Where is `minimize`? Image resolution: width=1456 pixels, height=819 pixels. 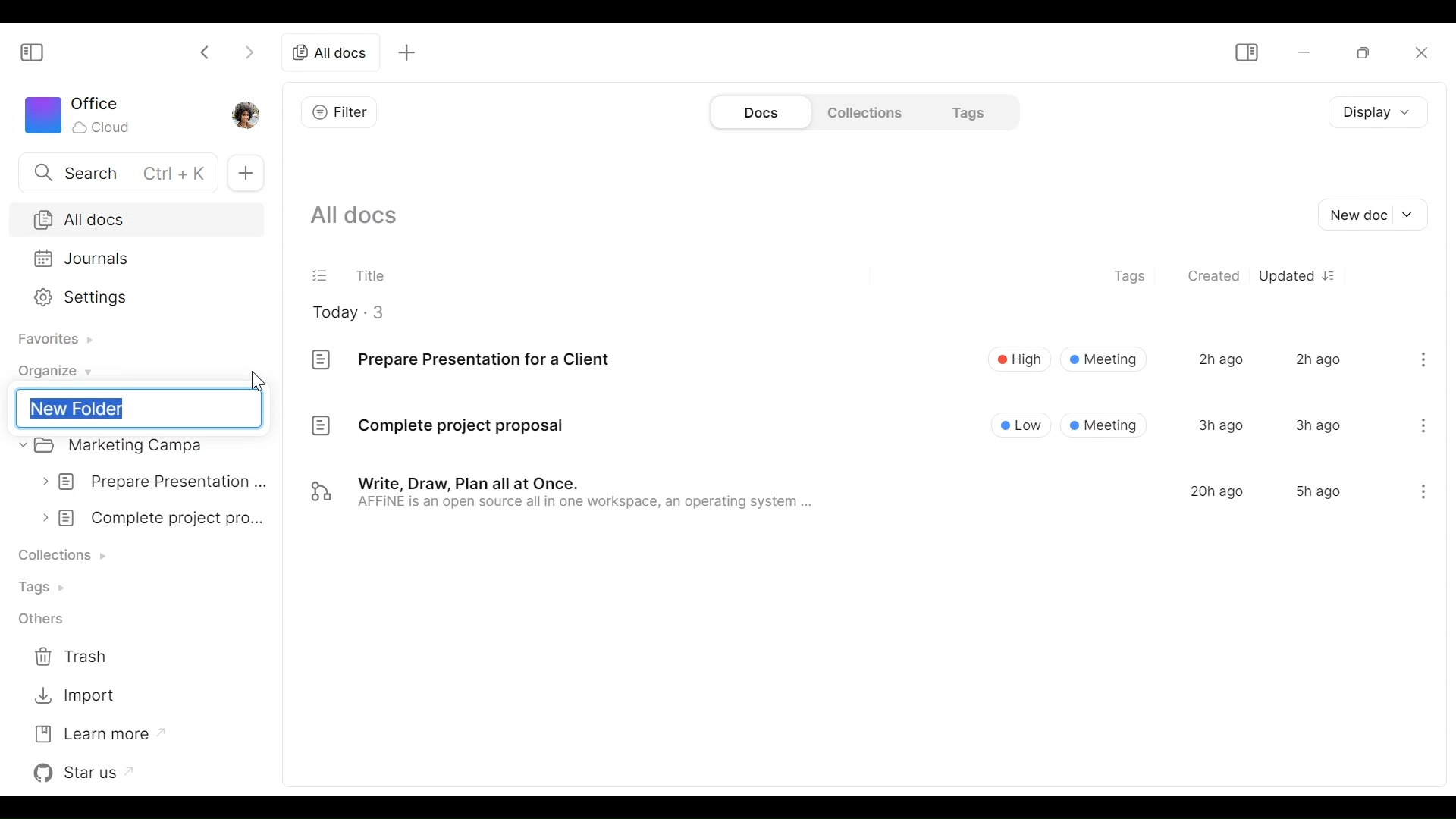 minimize is located at coordinates (1302, 52).